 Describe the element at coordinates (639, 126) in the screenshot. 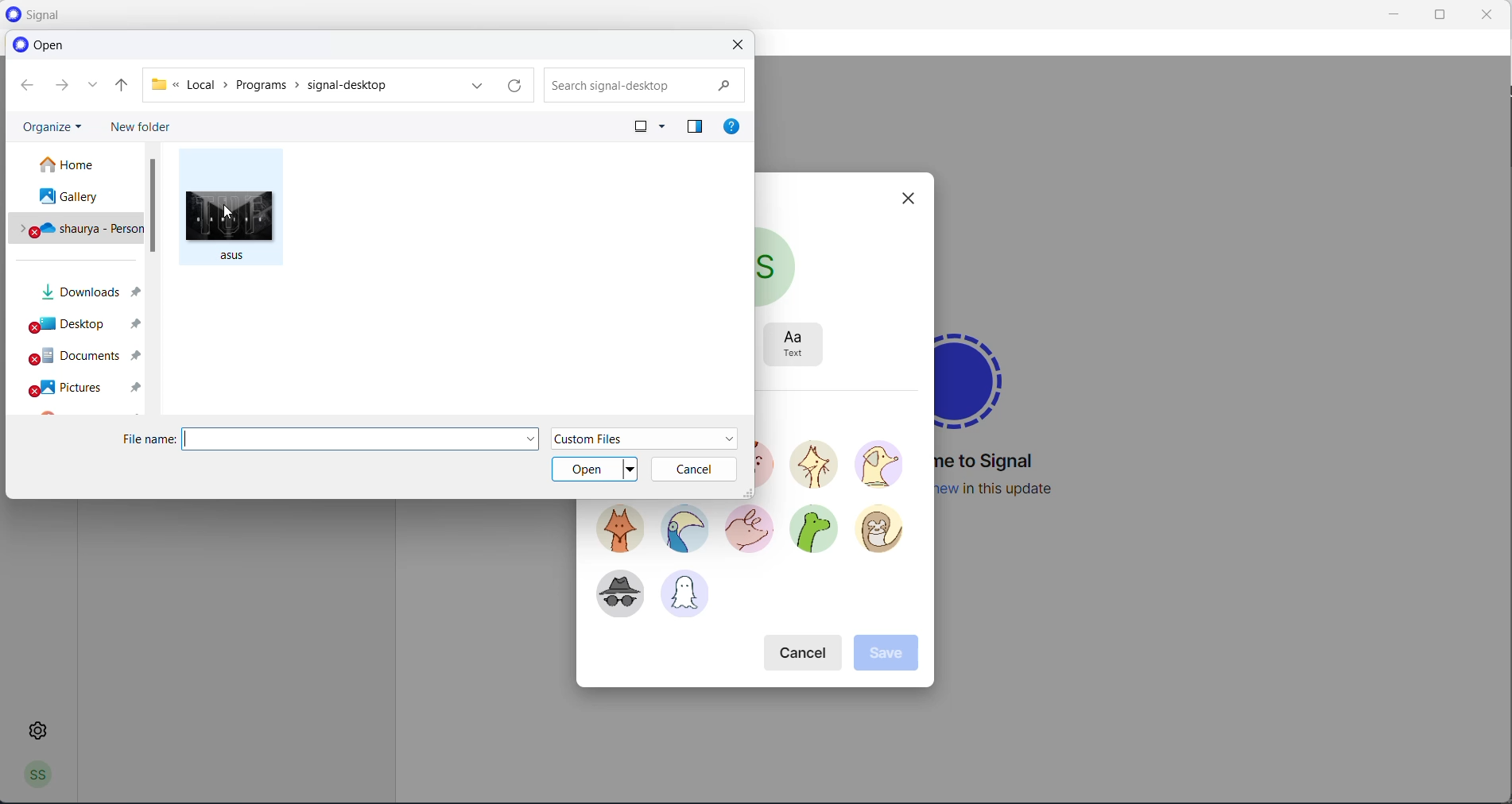

I see `change your view` at that location.